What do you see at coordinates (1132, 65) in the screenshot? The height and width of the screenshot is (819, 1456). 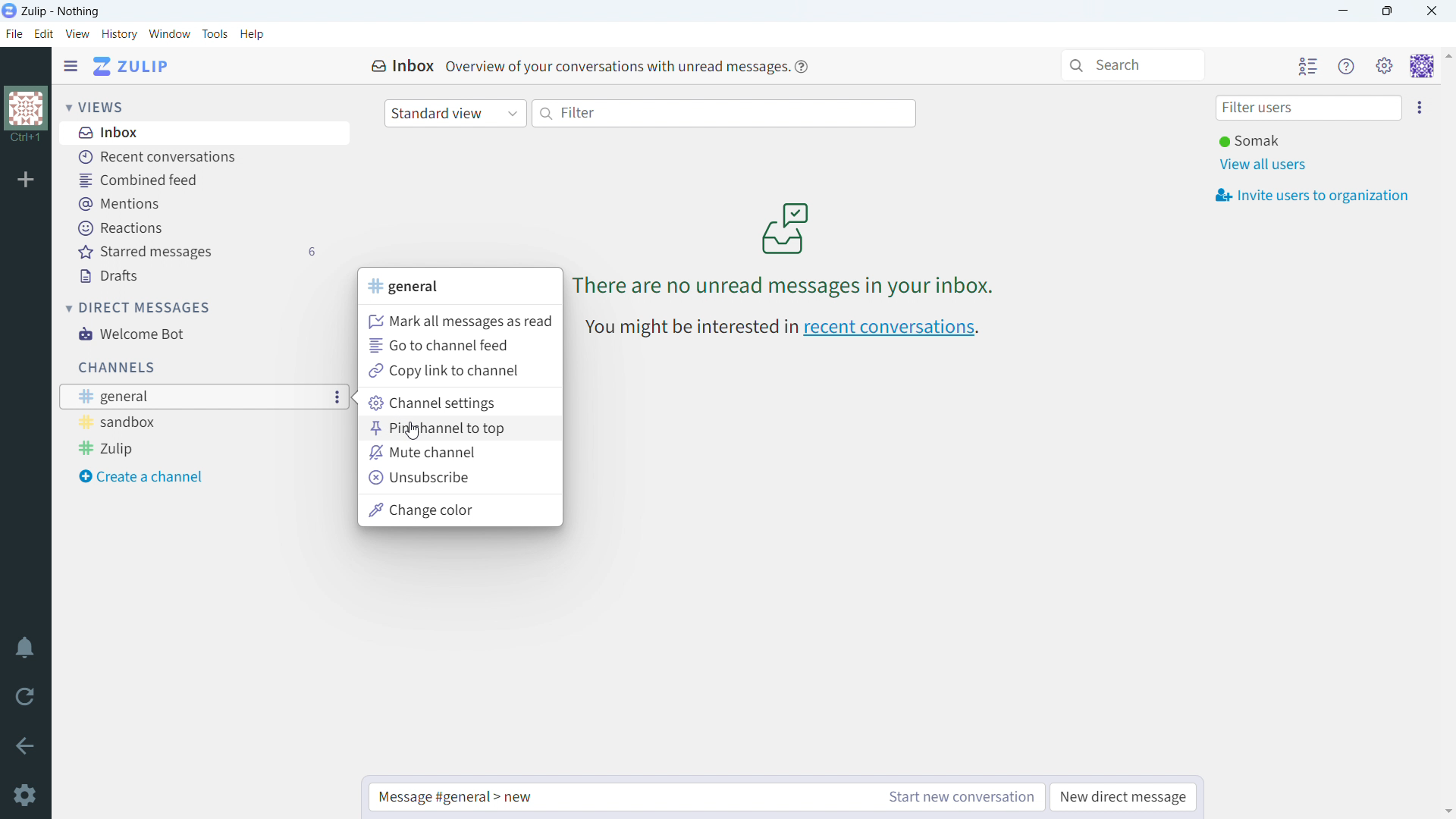 I see `search` at bounding box center [1132, 65].